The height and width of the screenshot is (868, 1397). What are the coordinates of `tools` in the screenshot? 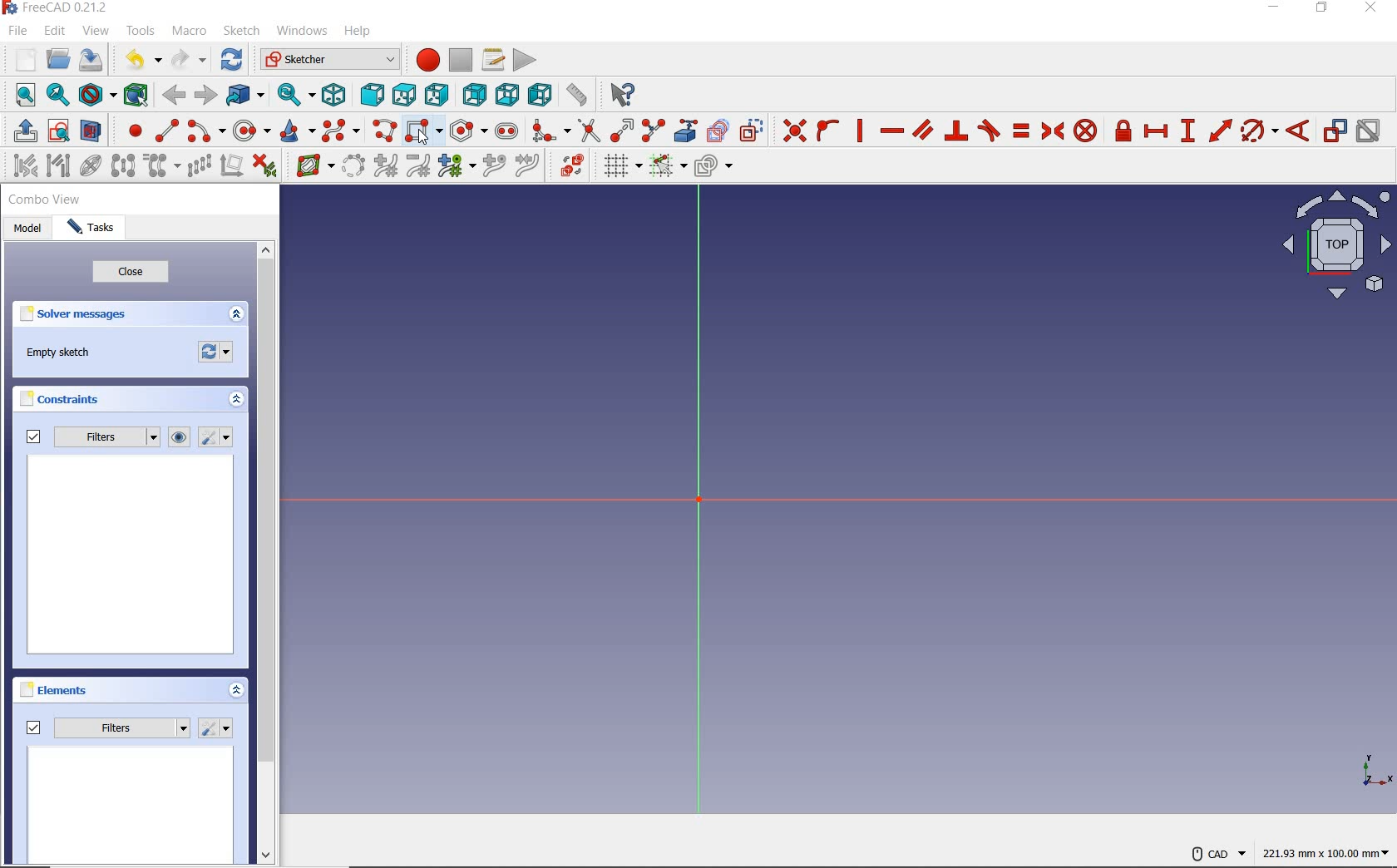 It's located at (140, 32).